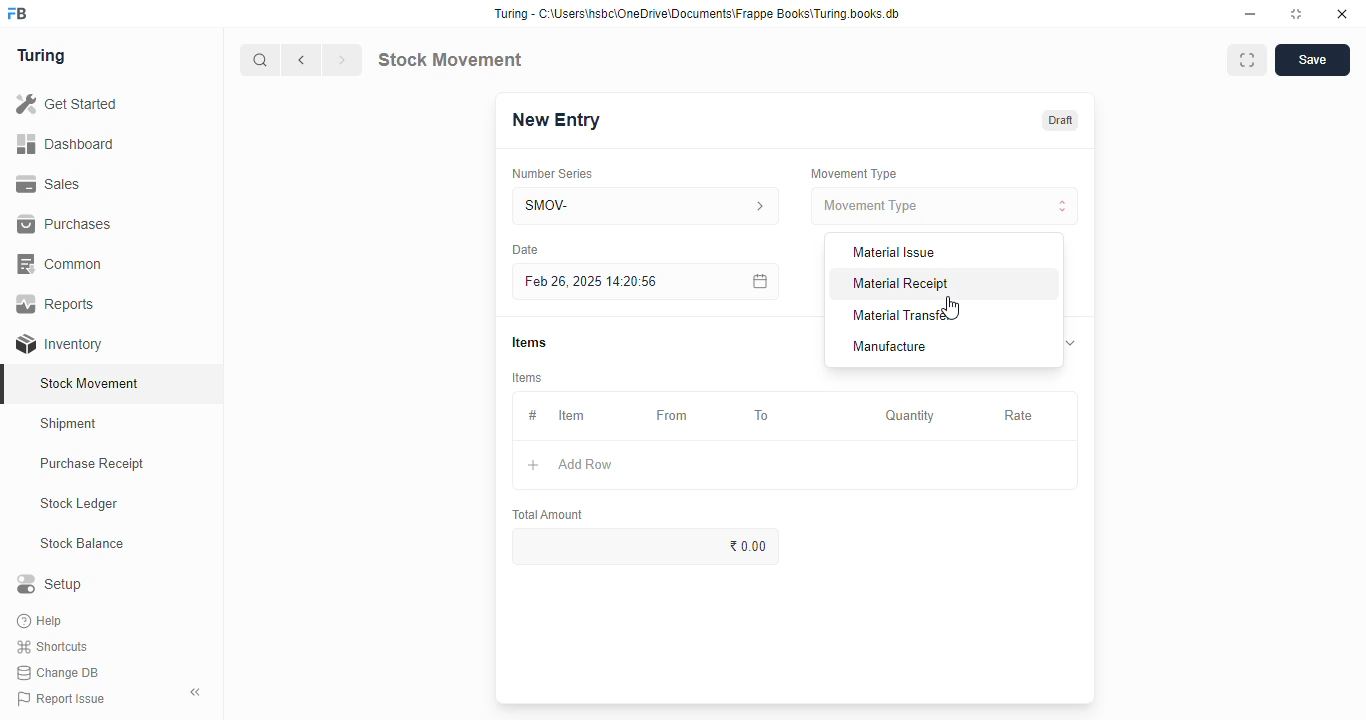 This screenshot has height=720, width=1366. I want to click on material issue, so click(897, 251).